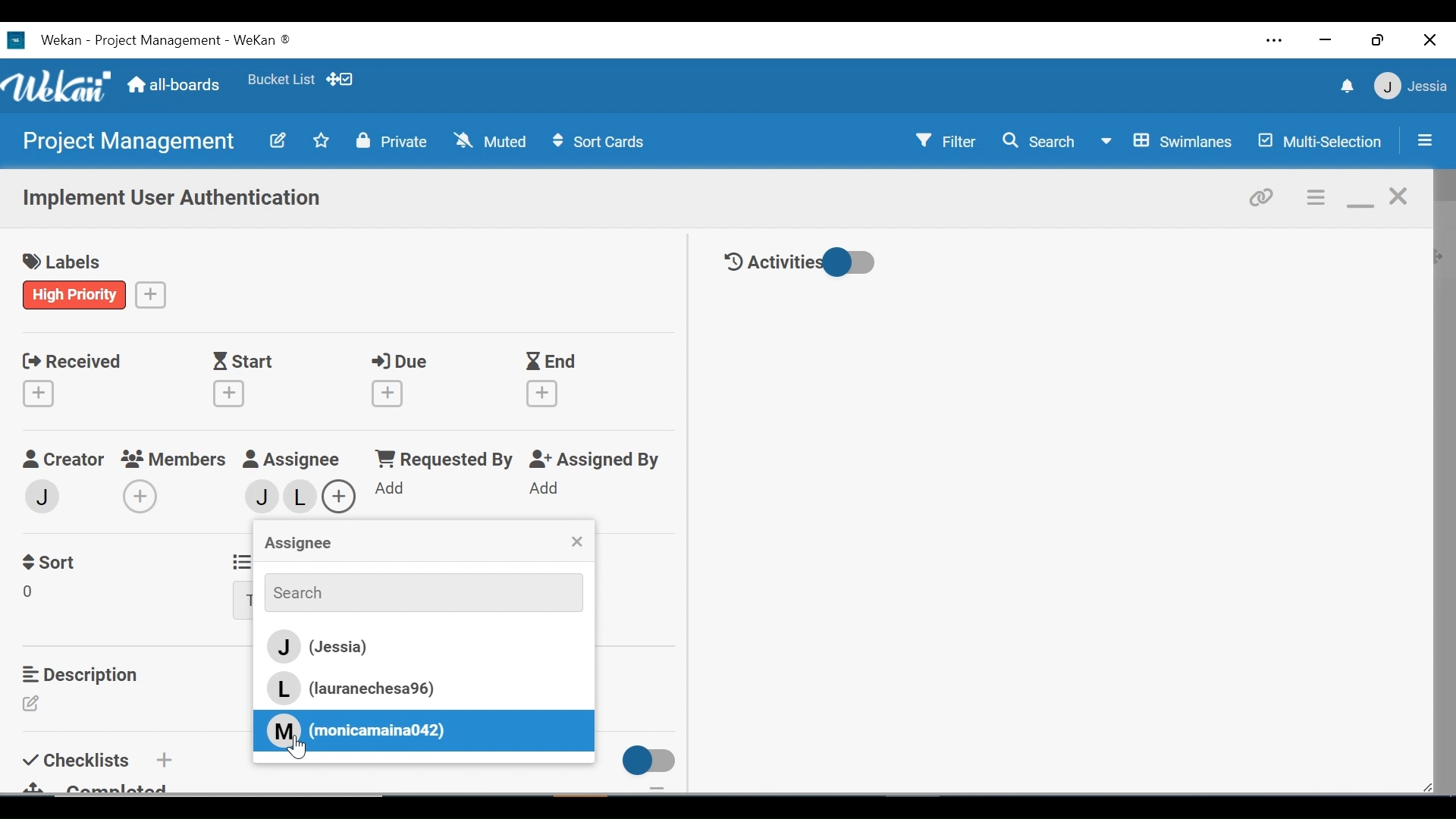  Describe the element at coordinates (303, 749) in the screenshot. I see `Cursor` at that location.